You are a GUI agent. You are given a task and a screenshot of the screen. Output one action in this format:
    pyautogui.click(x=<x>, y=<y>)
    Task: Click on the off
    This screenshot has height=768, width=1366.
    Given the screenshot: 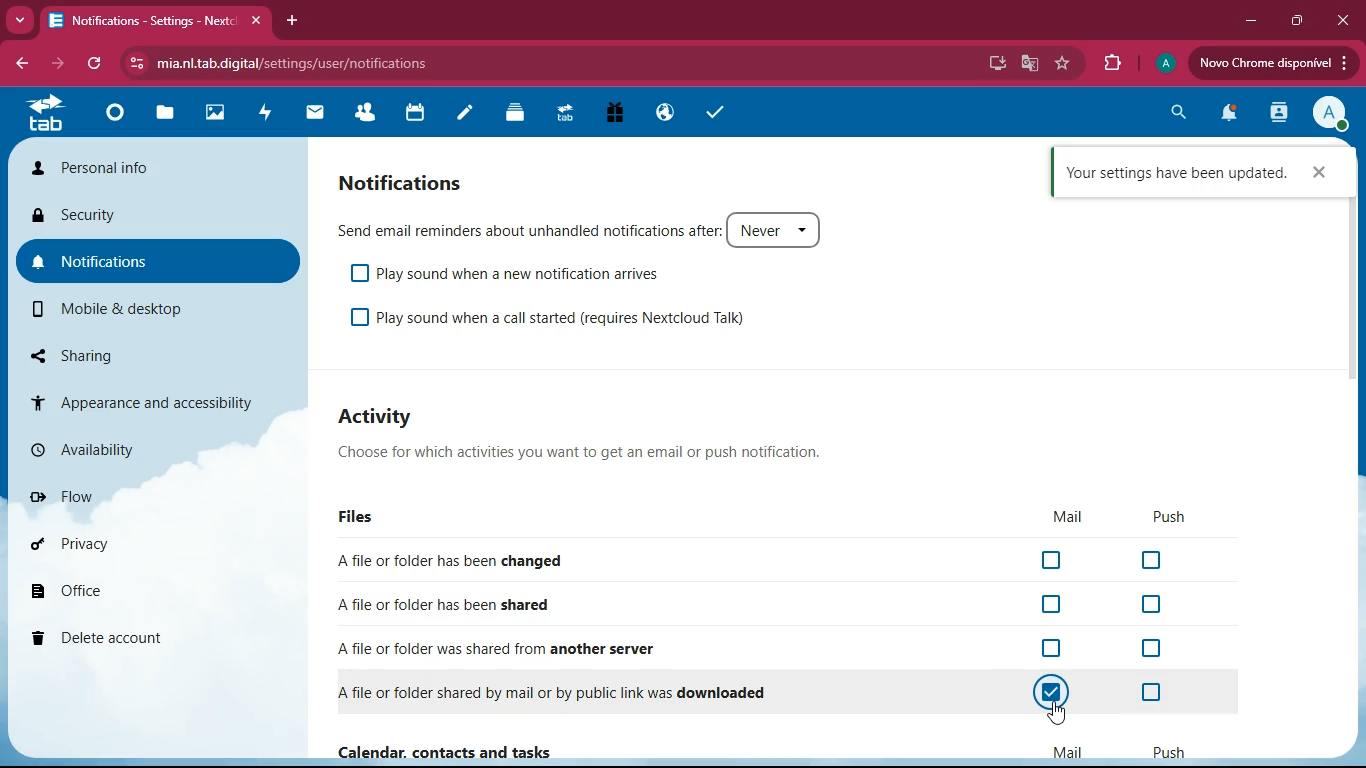 What is the action you would take?
    pyautogui.click(x=1152, y=647)
    